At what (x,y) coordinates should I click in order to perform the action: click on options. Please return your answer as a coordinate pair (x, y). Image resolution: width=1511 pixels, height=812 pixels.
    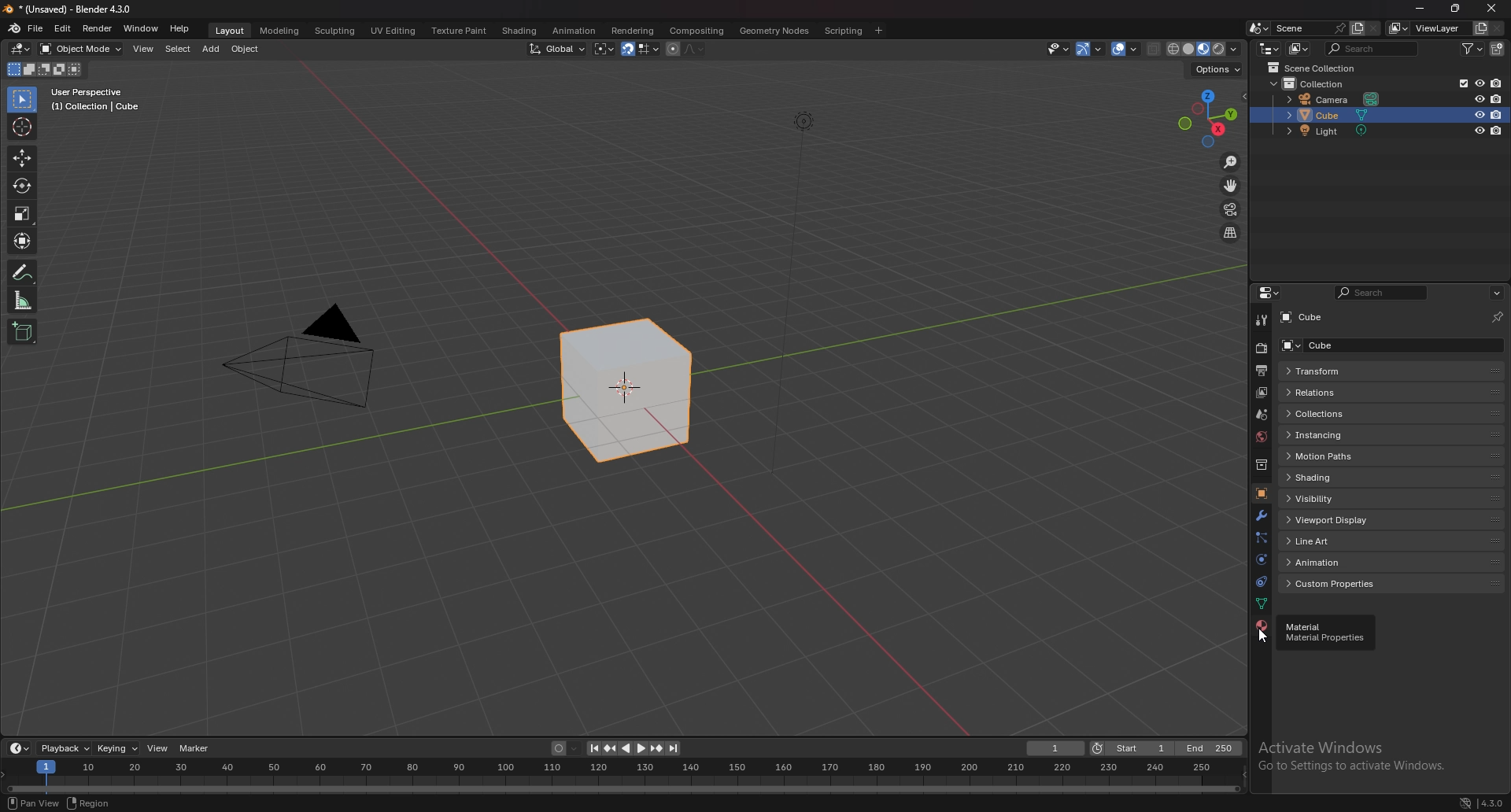
    Looking at the image, I should click on (1496, 293).